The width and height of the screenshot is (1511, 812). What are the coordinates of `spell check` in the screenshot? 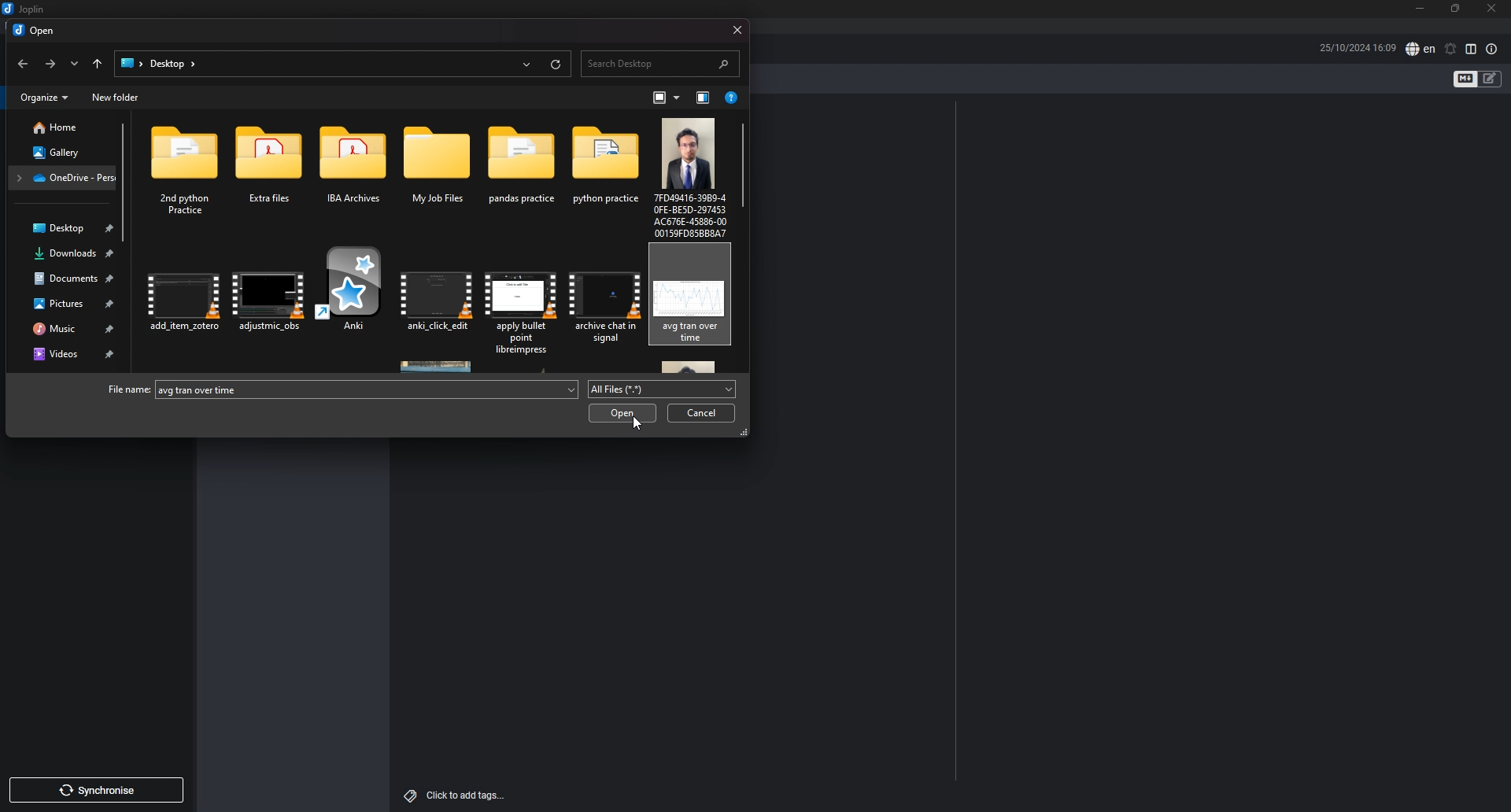 It's located at (1421, 49).